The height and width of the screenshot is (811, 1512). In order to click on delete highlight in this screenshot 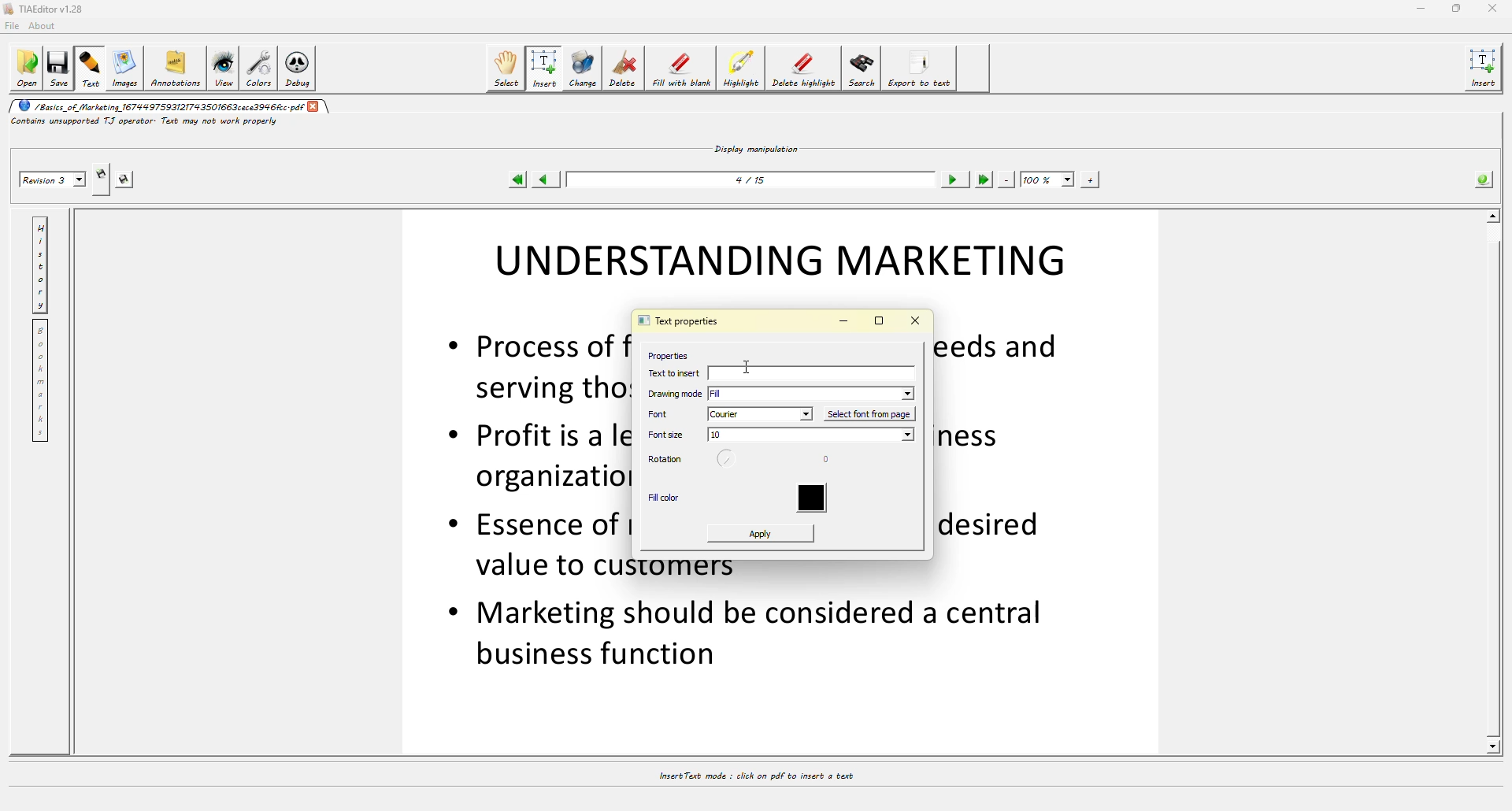, I will do `click(805, 69)`.